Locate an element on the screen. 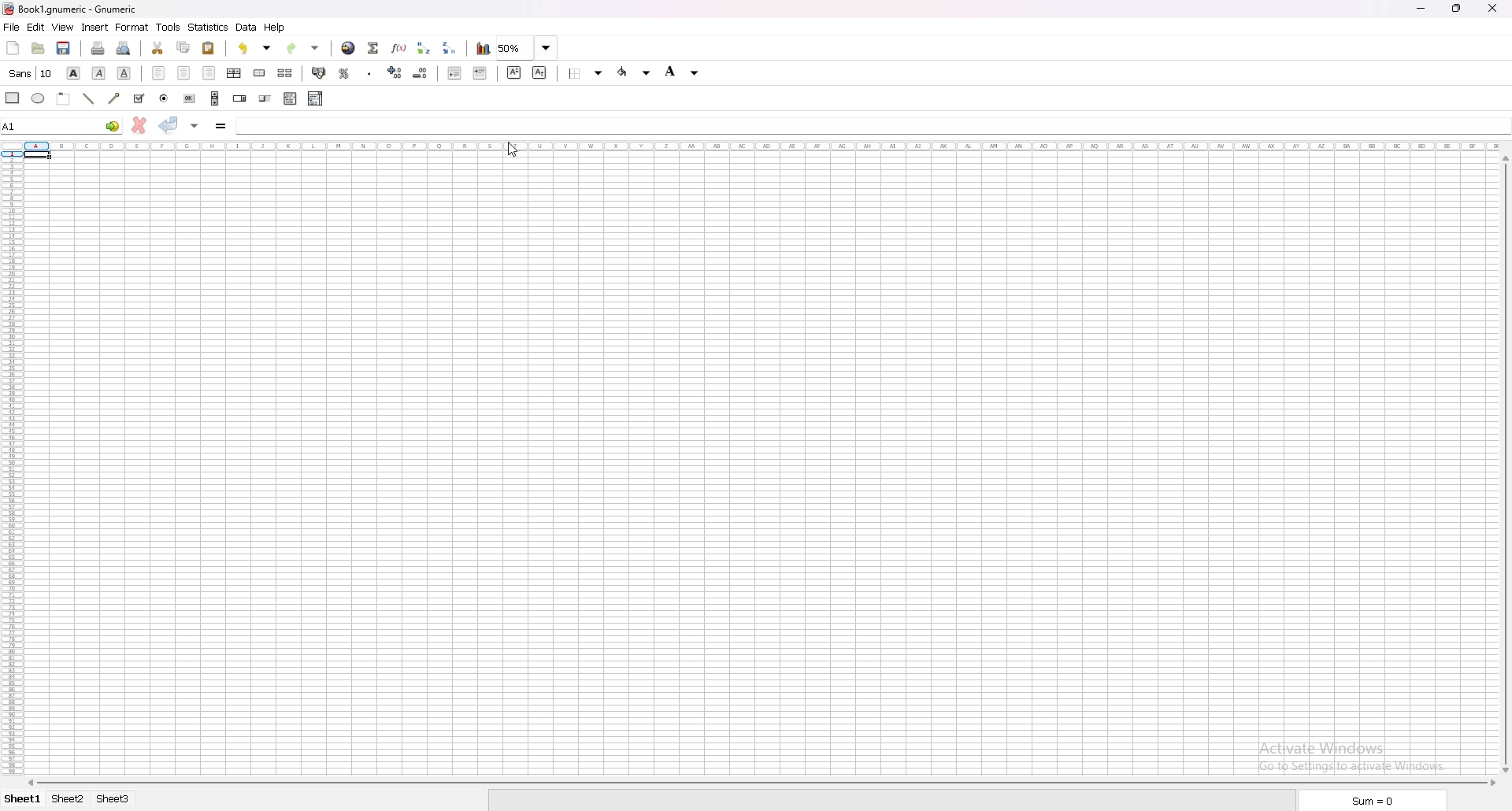 Image resolution: width=1512 pixels, height=811 pixels. percentage is located at coordinates (344, 73).